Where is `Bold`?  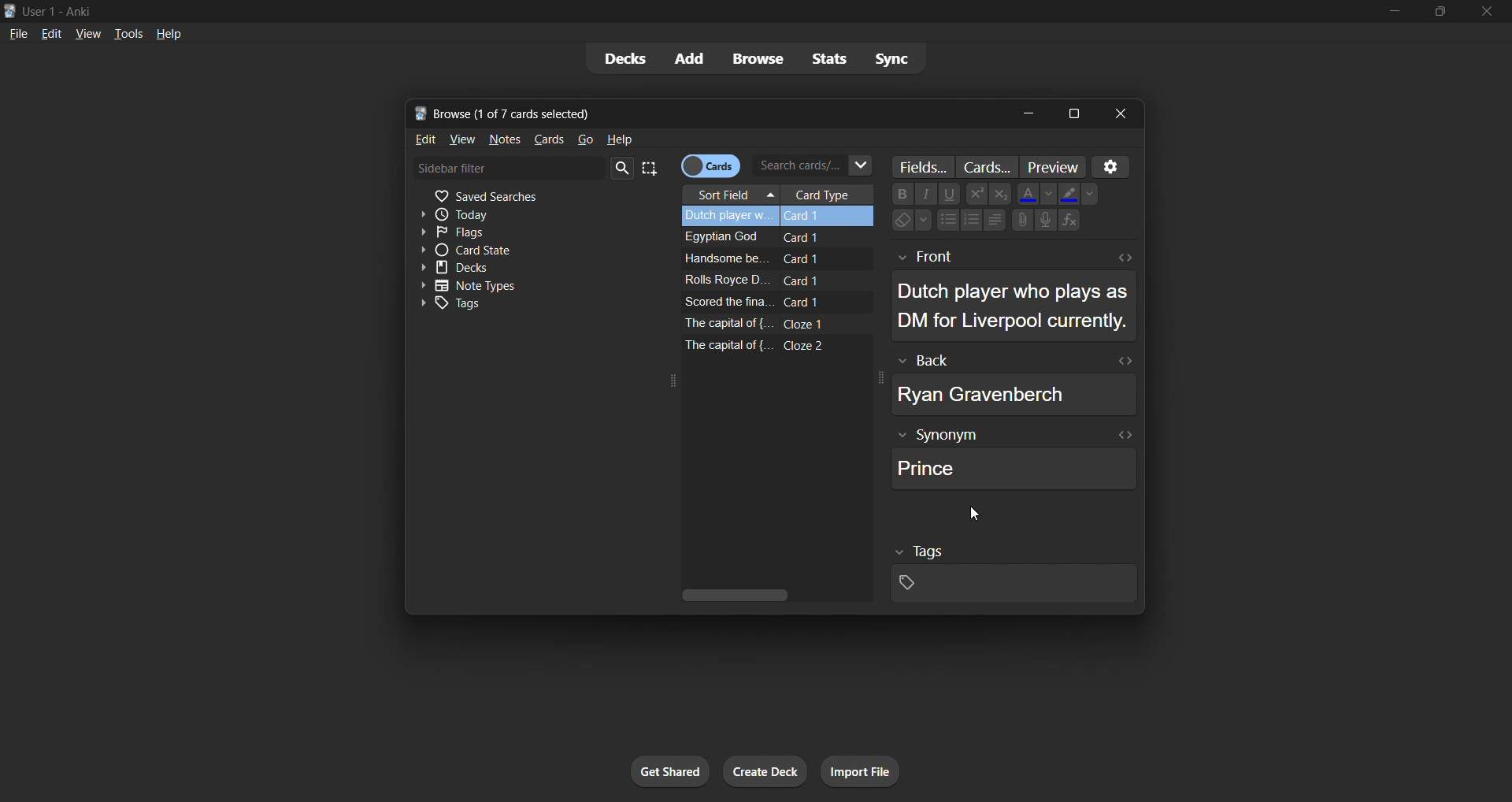
Bold is located at coordinates (899, 193).